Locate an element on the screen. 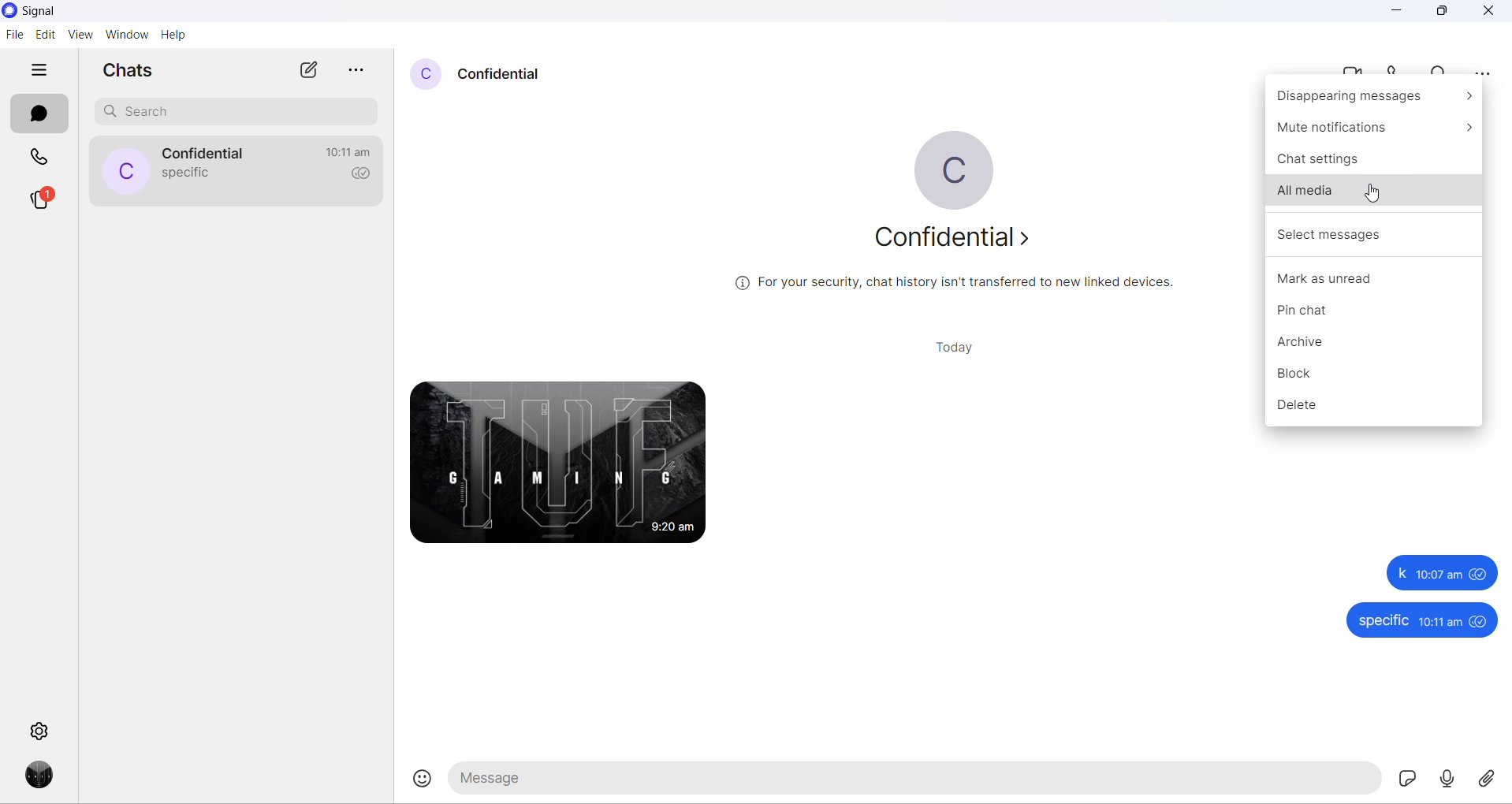 Image resolution: width=1512 pixels, height=804 pixels. chat settings is located at coordinates (1375, 164).